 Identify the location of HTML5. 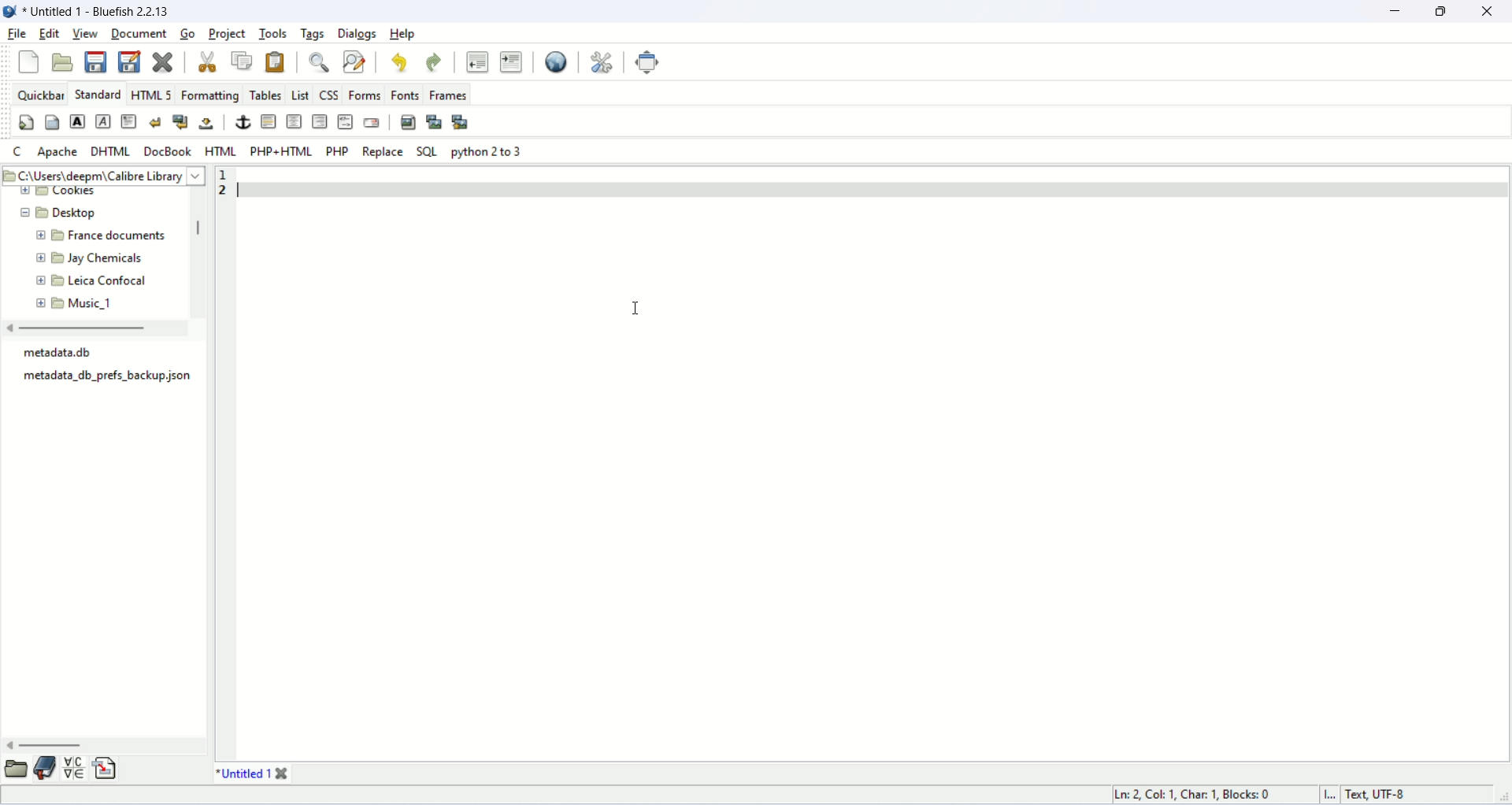
(152, 94).